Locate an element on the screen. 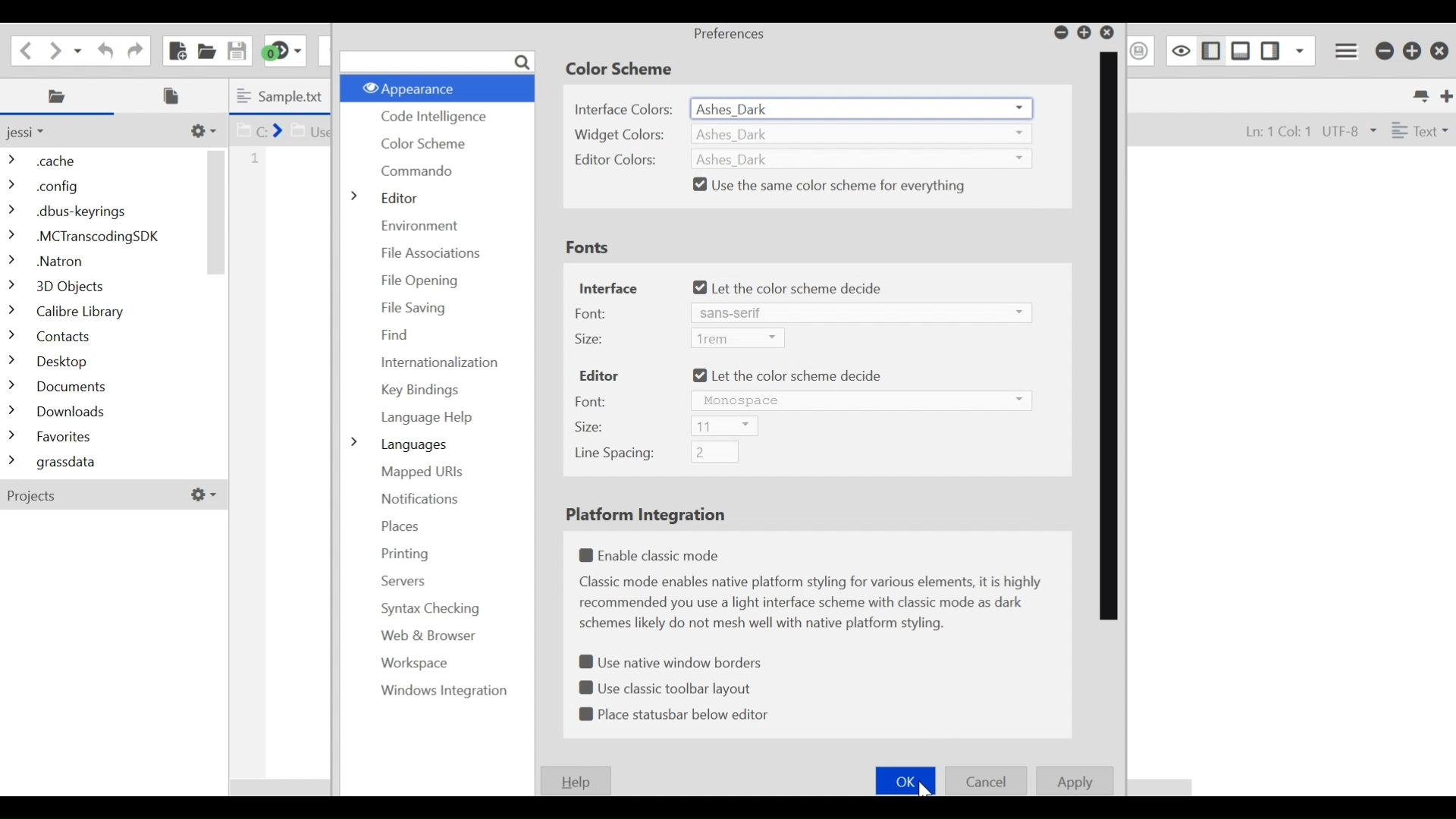 The height and width of the screenshot is (819, 1456). search is located at coordinates (437, 61).